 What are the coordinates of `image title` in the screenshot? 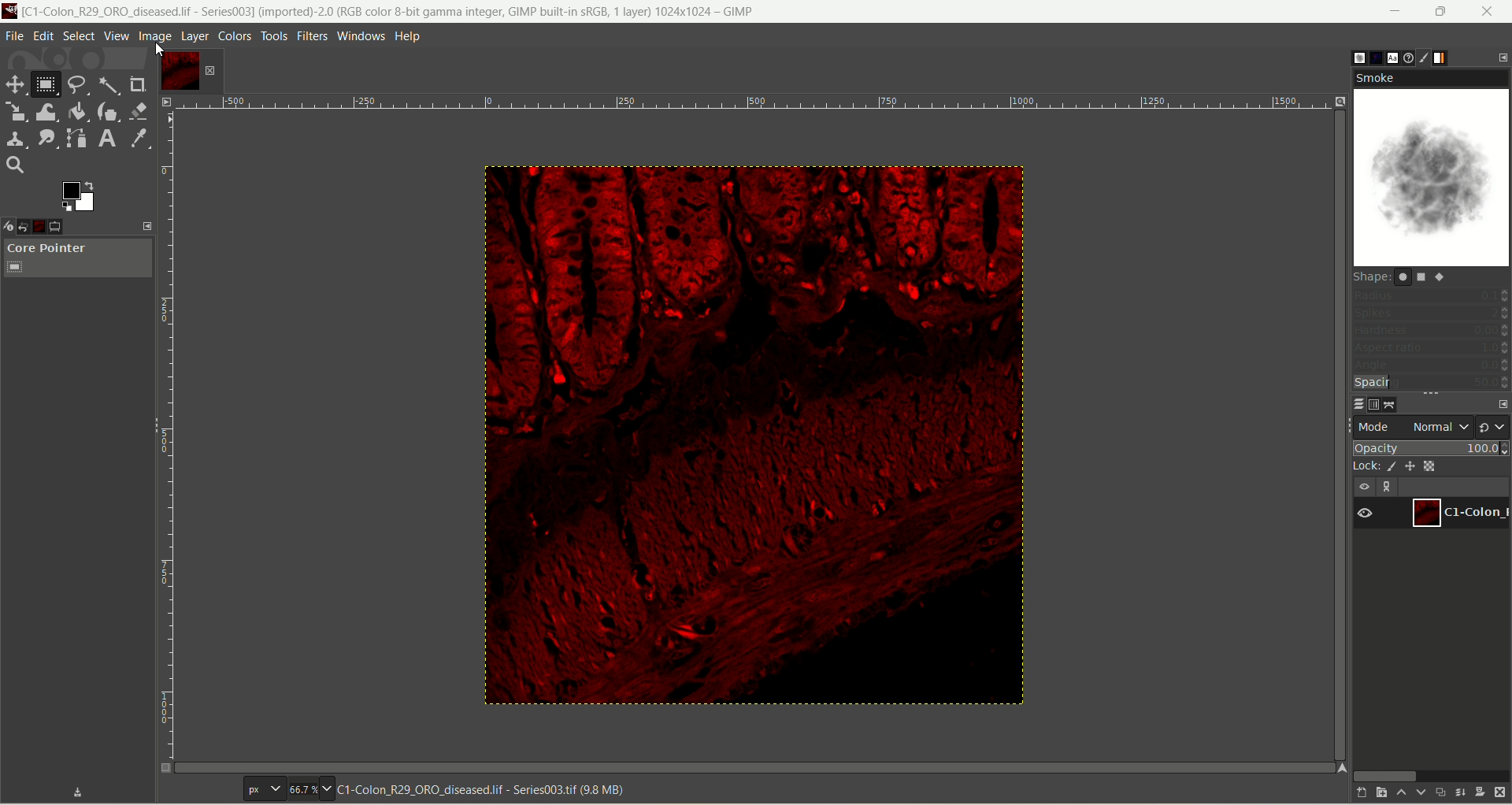 It's located at (481, 788).